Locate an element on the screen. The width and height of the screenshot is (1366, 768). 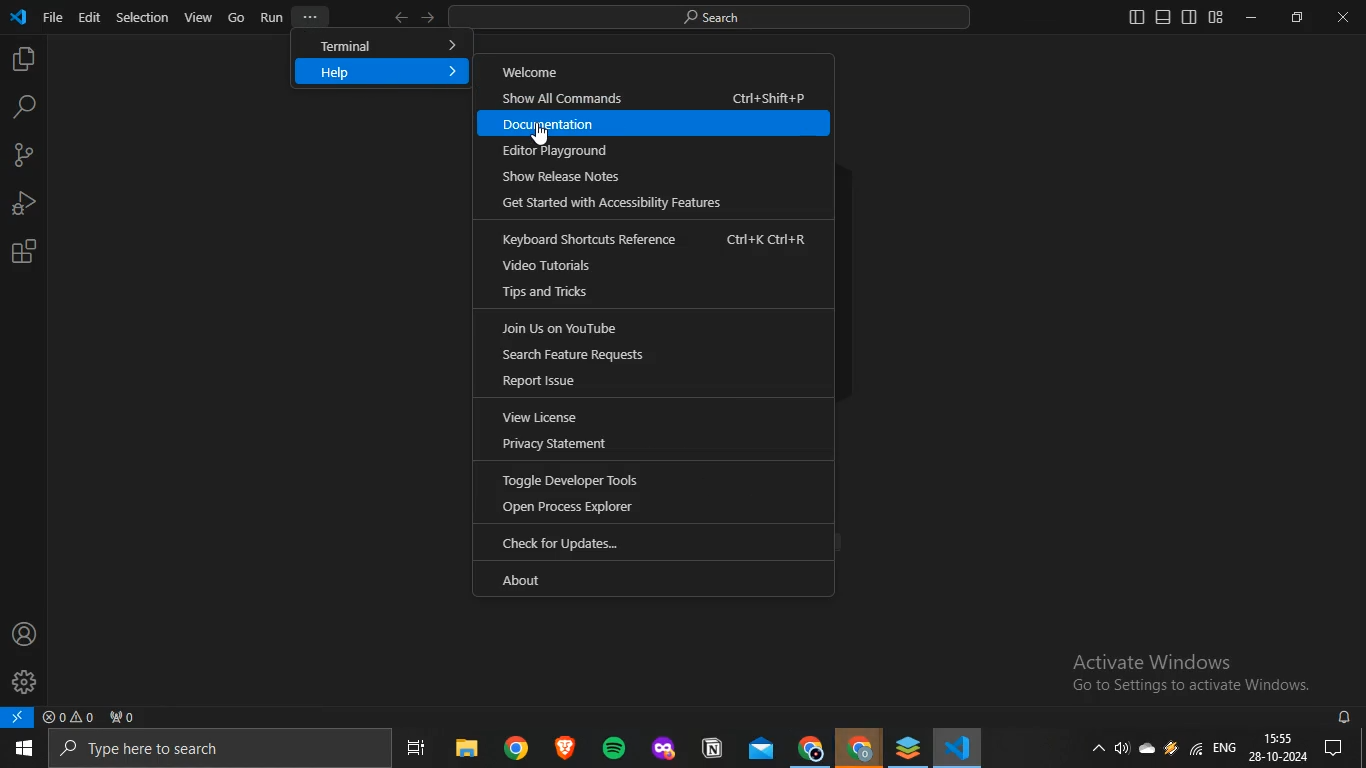
Toggle Developer Tools is located at coordinates (651, 478).